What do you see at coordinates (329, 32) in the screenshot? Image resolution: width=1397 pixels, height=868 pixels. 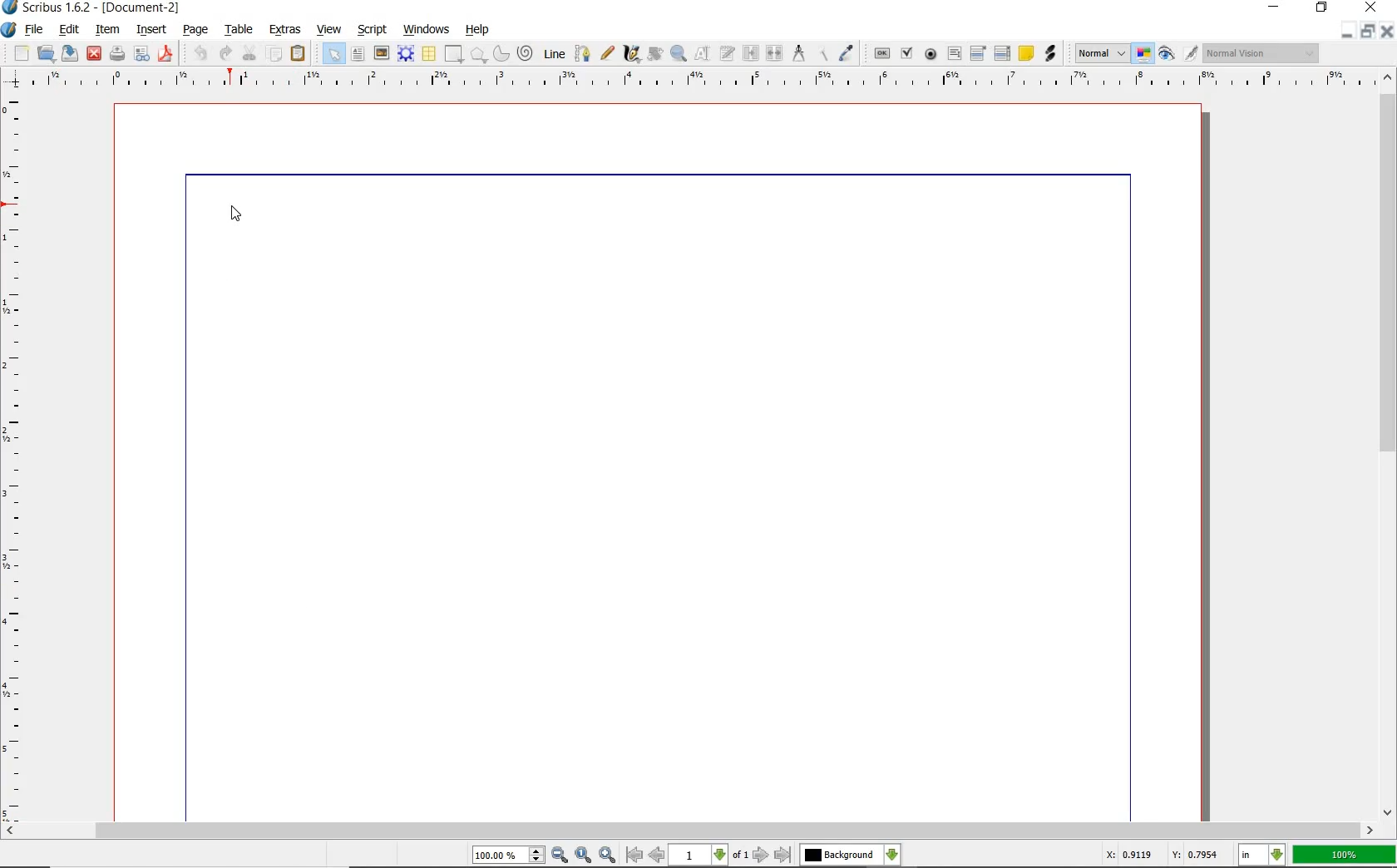 I see `view` at bounding box center [329, 32].